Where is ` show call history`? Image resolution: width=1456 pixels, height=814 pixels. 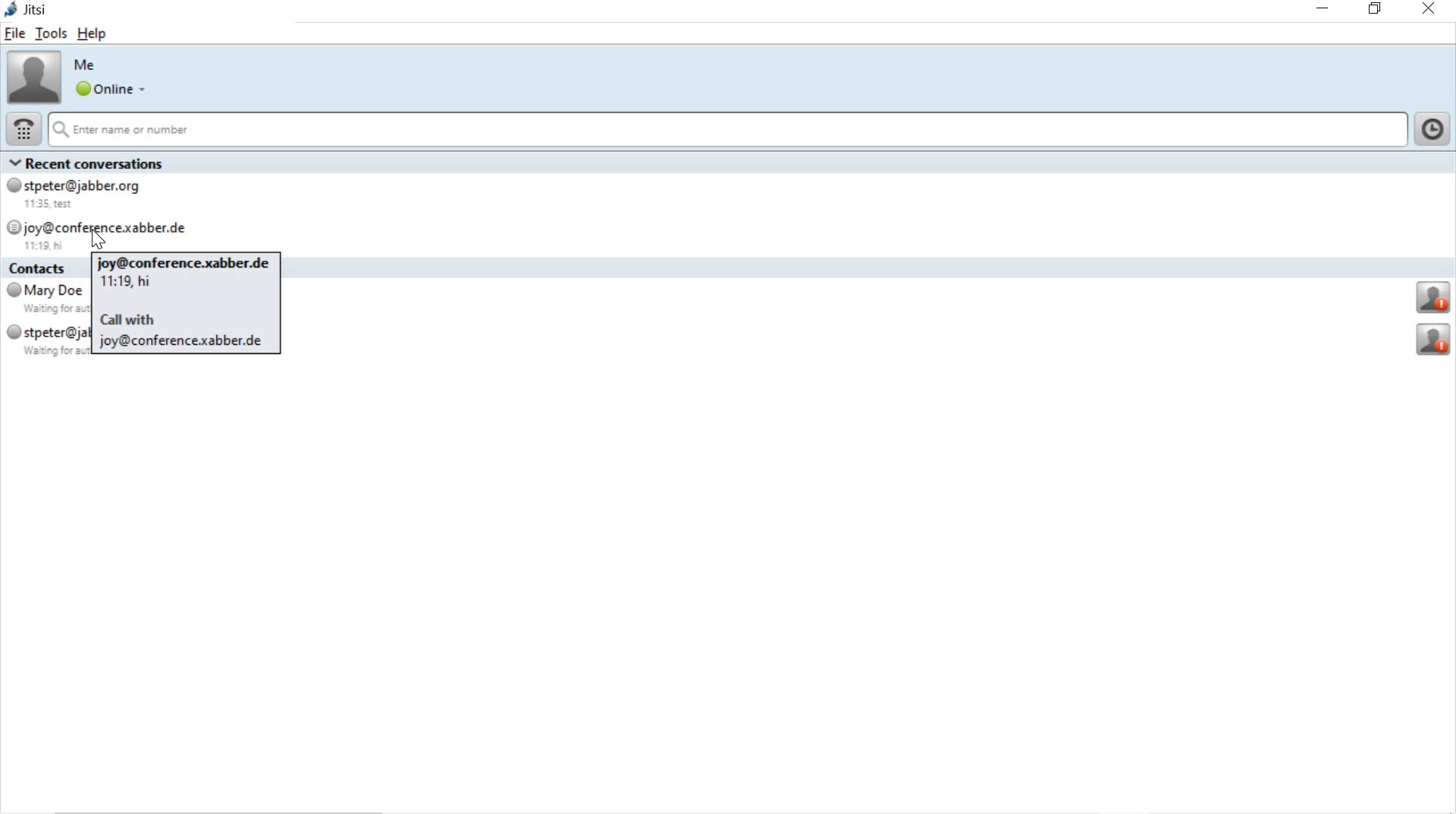
 show call history is located at coordinates (1435, 129).